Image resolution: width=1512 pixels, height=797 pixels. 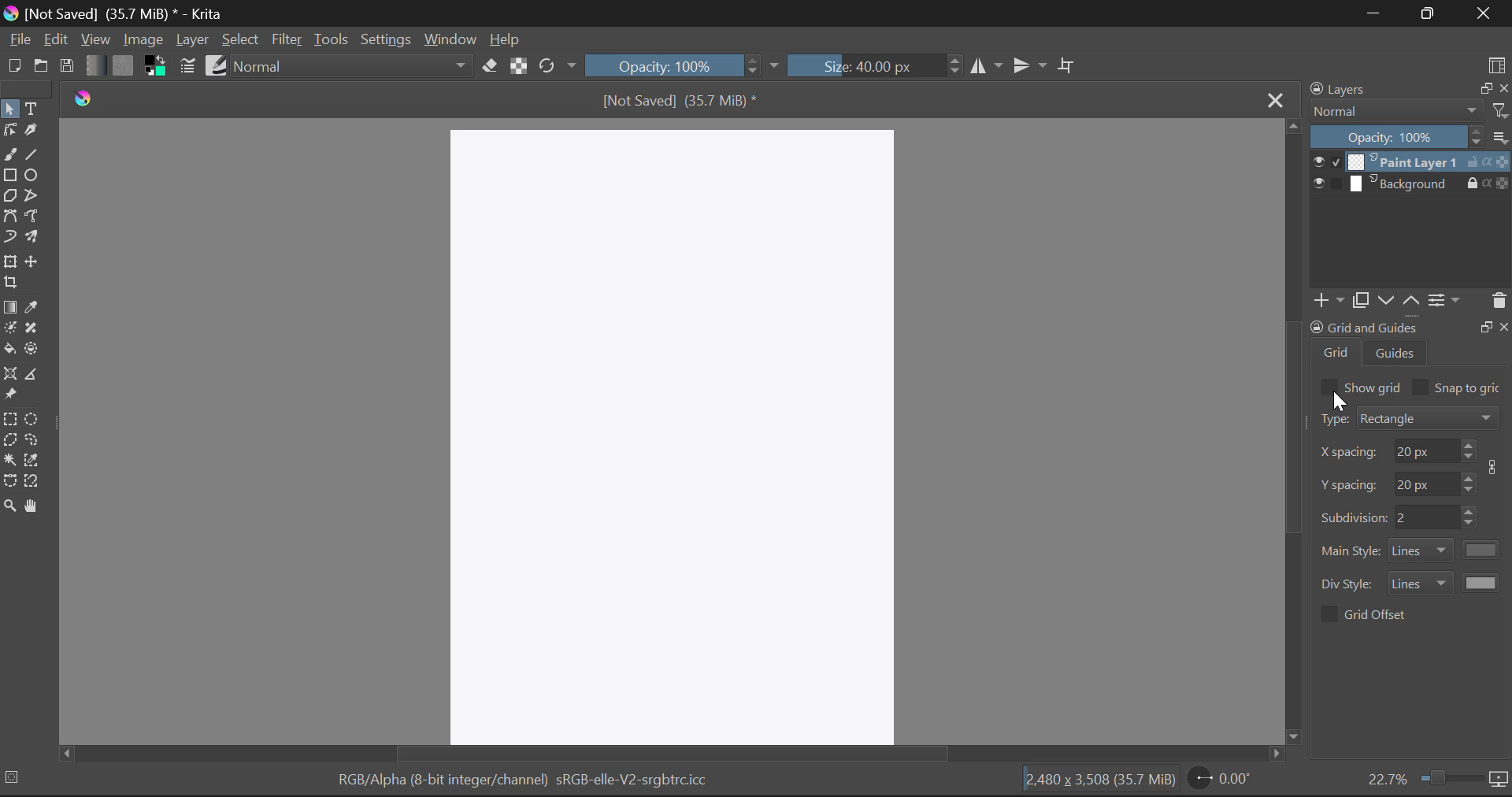 What do you see at coordinates (9, 442) in the screenshot?
I see `Polygon Selection` at bounding box center [9, 442].